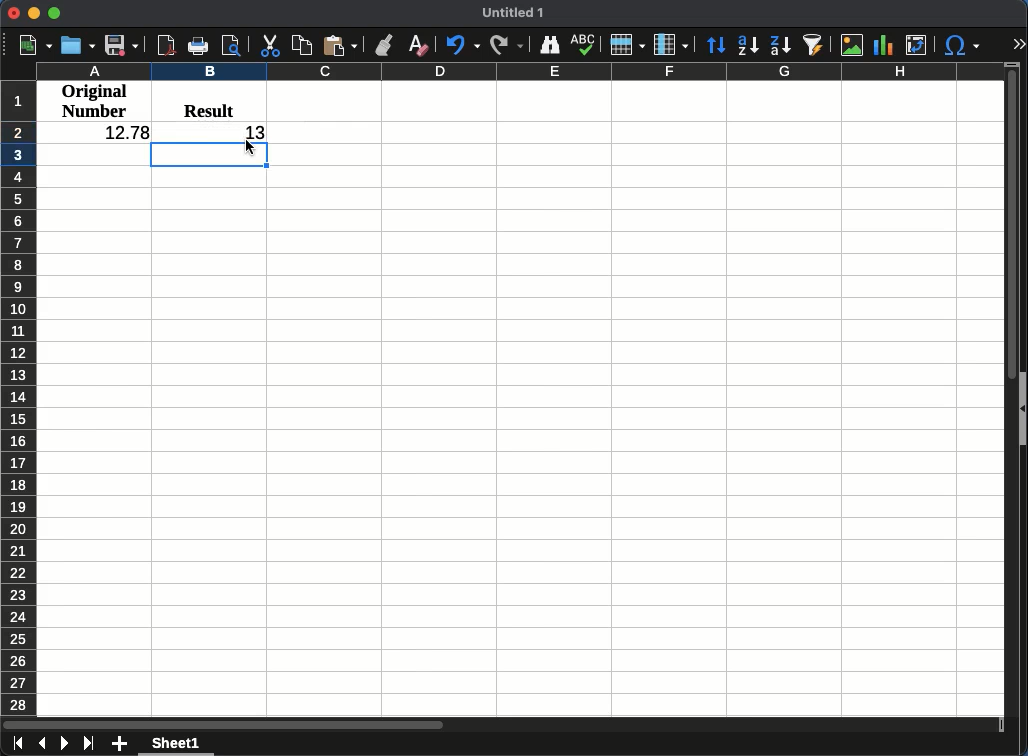  Describe the element at coordinates (233, 47) in the screenshot. I see `print preview` at that location.